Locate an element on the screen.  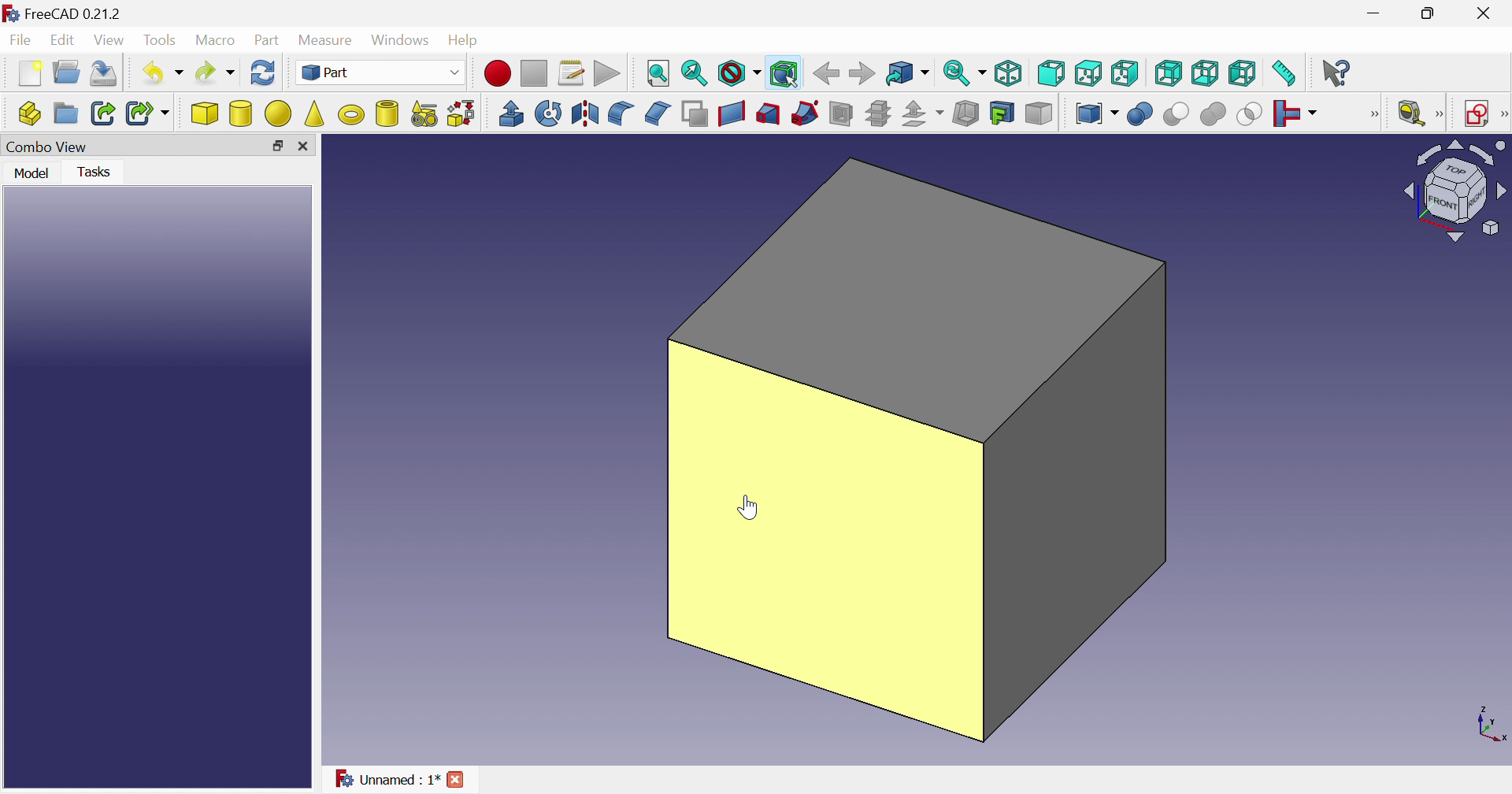
Section is located at coordinates (841, 113).